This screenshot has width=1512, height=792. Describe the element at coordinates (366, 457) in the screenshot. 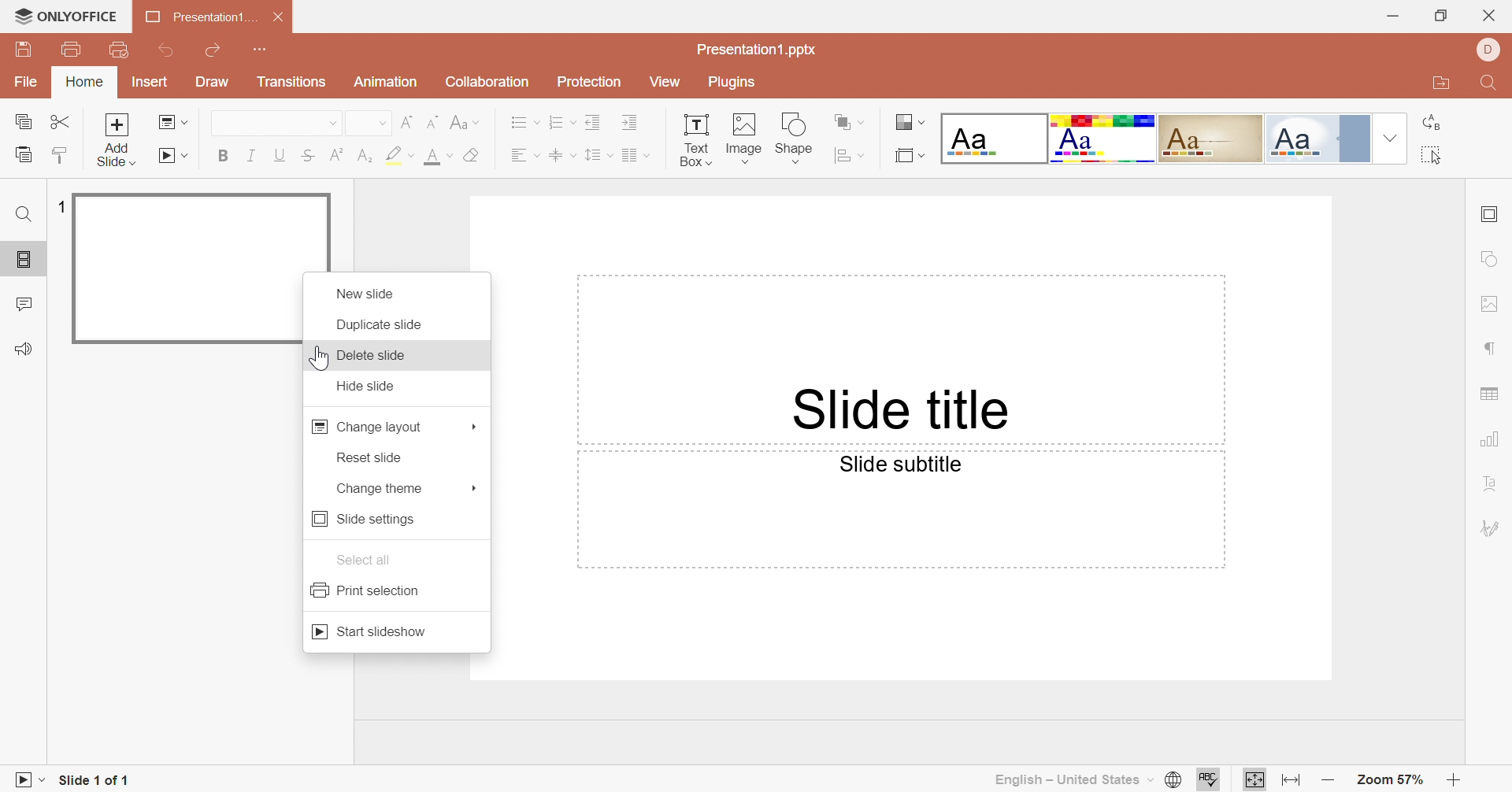

I see `Reset Slide` at that location.